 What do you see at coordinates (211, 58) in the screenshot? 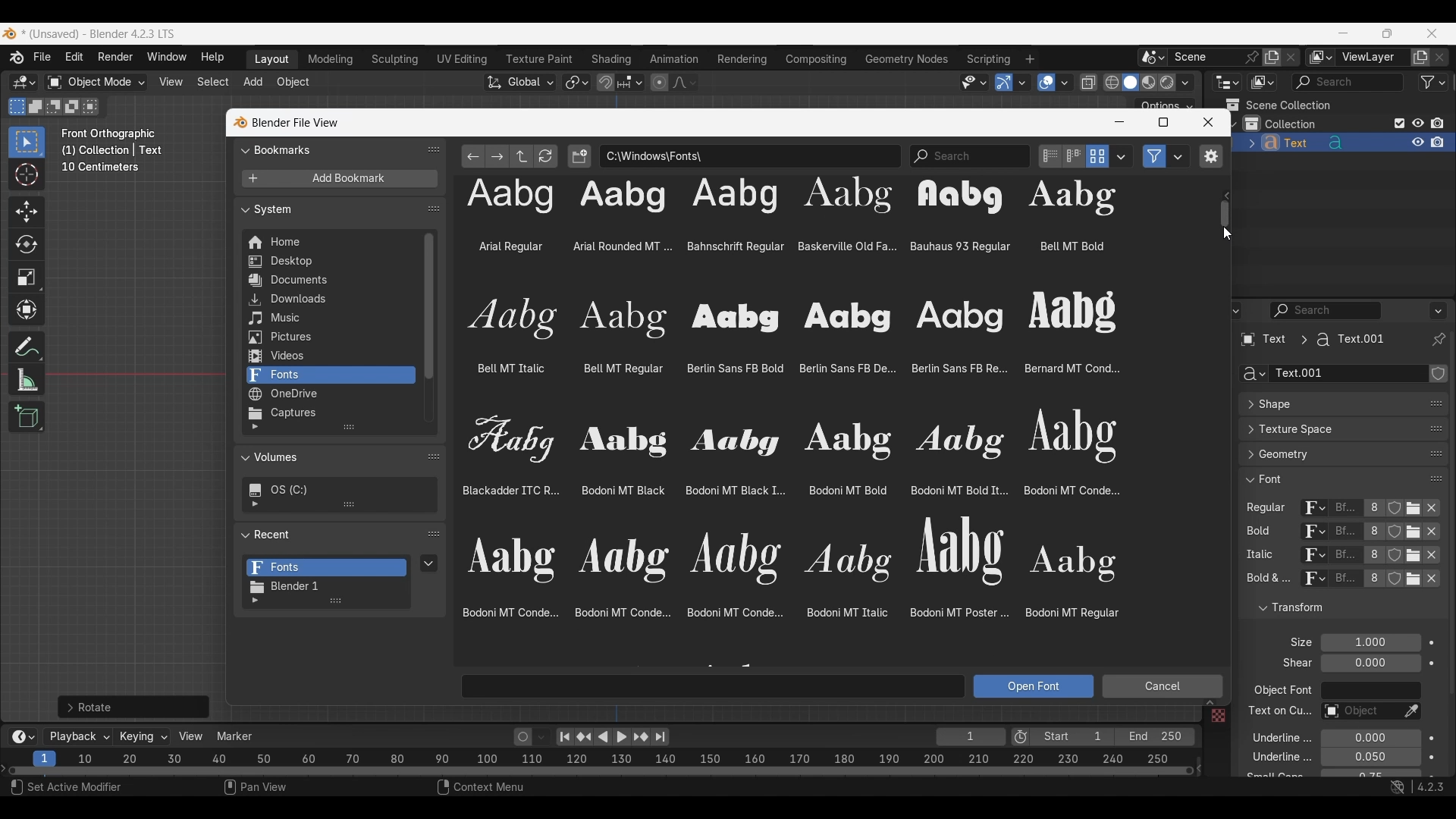
I see `Help menu` at bounding box center [211, 58].